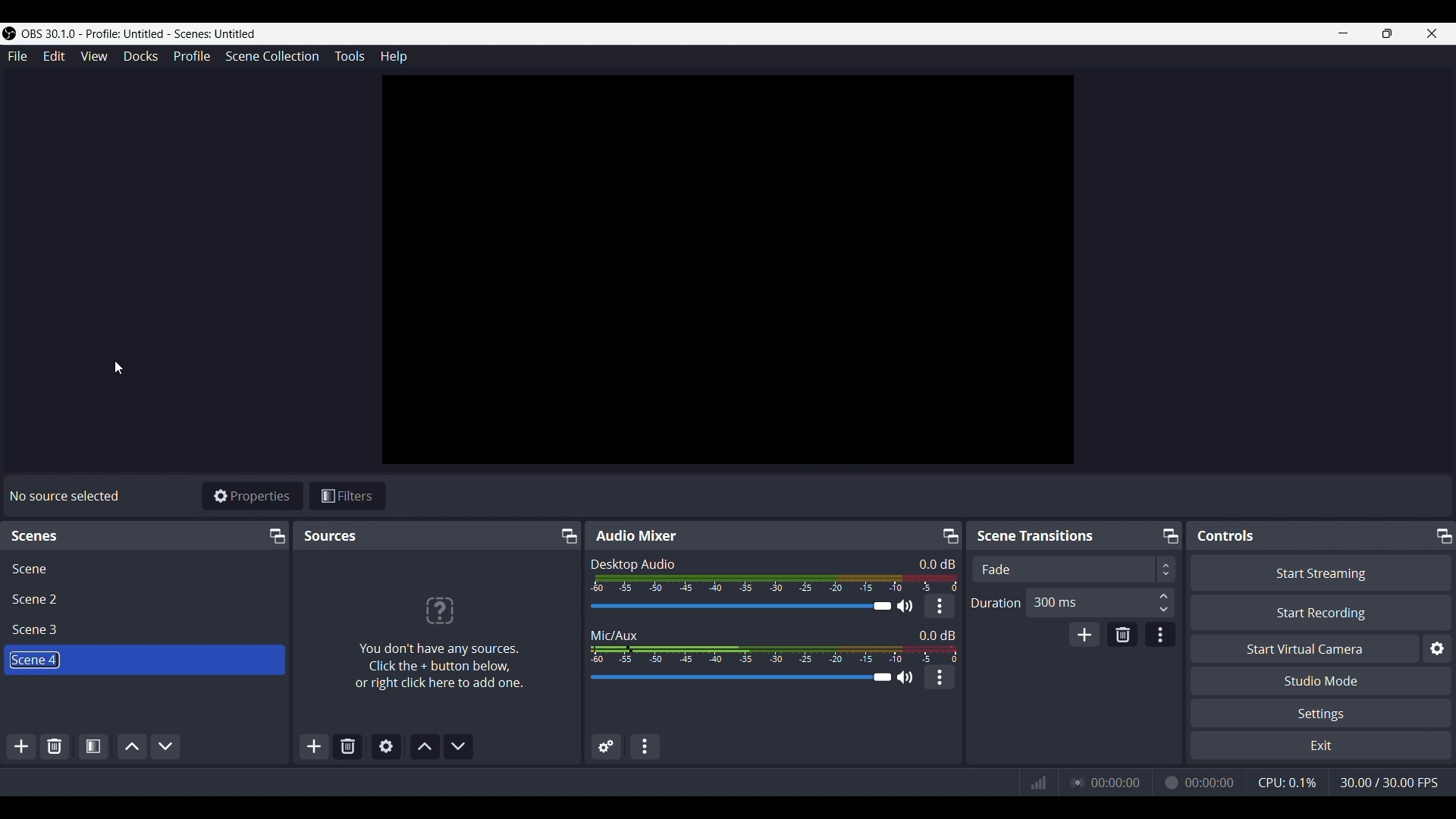 The width and height of the screenshot is (1456, 819). What do you see at coordinates (940, 677) in the screenshot?
I see `kebab menu` at bounding box center [940, 677].